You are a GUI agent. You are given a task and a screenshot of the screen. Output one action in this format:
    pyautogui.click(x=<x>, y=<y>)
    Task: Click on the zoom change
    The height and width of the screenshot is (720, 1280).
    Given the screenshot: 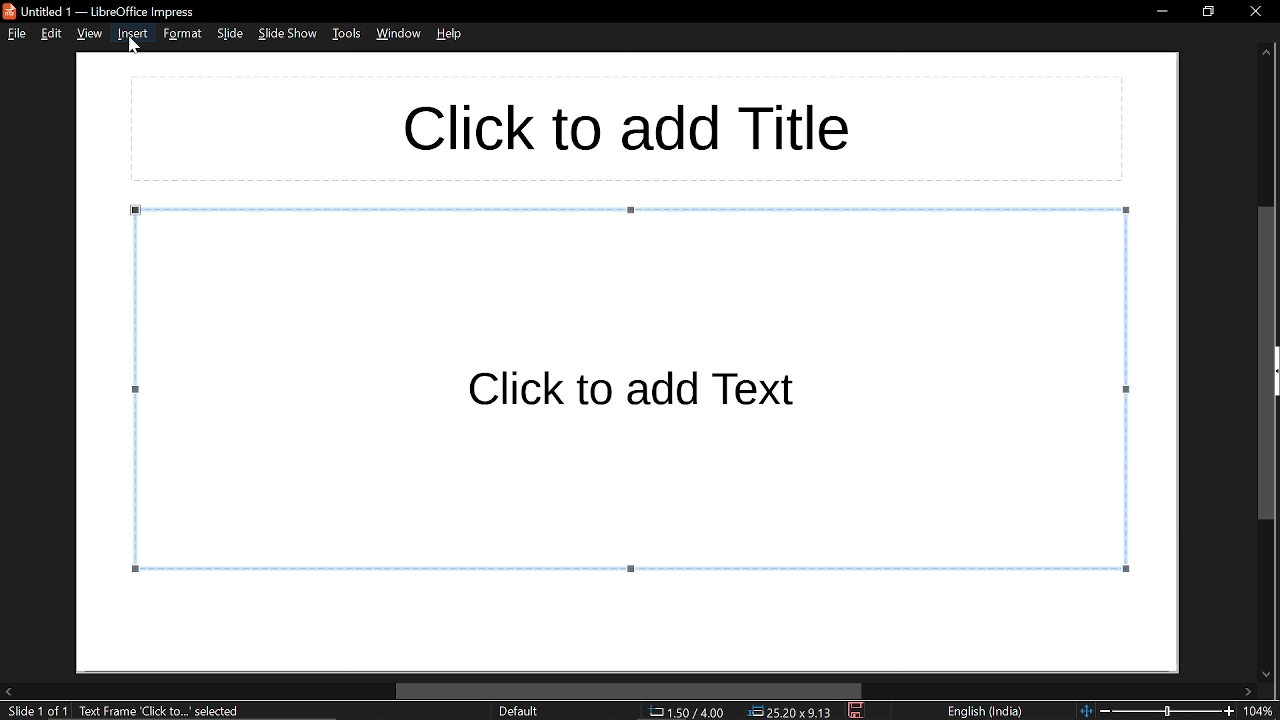 What is the action you would take?
    pyautogui.click(x=1157, y=712)
    